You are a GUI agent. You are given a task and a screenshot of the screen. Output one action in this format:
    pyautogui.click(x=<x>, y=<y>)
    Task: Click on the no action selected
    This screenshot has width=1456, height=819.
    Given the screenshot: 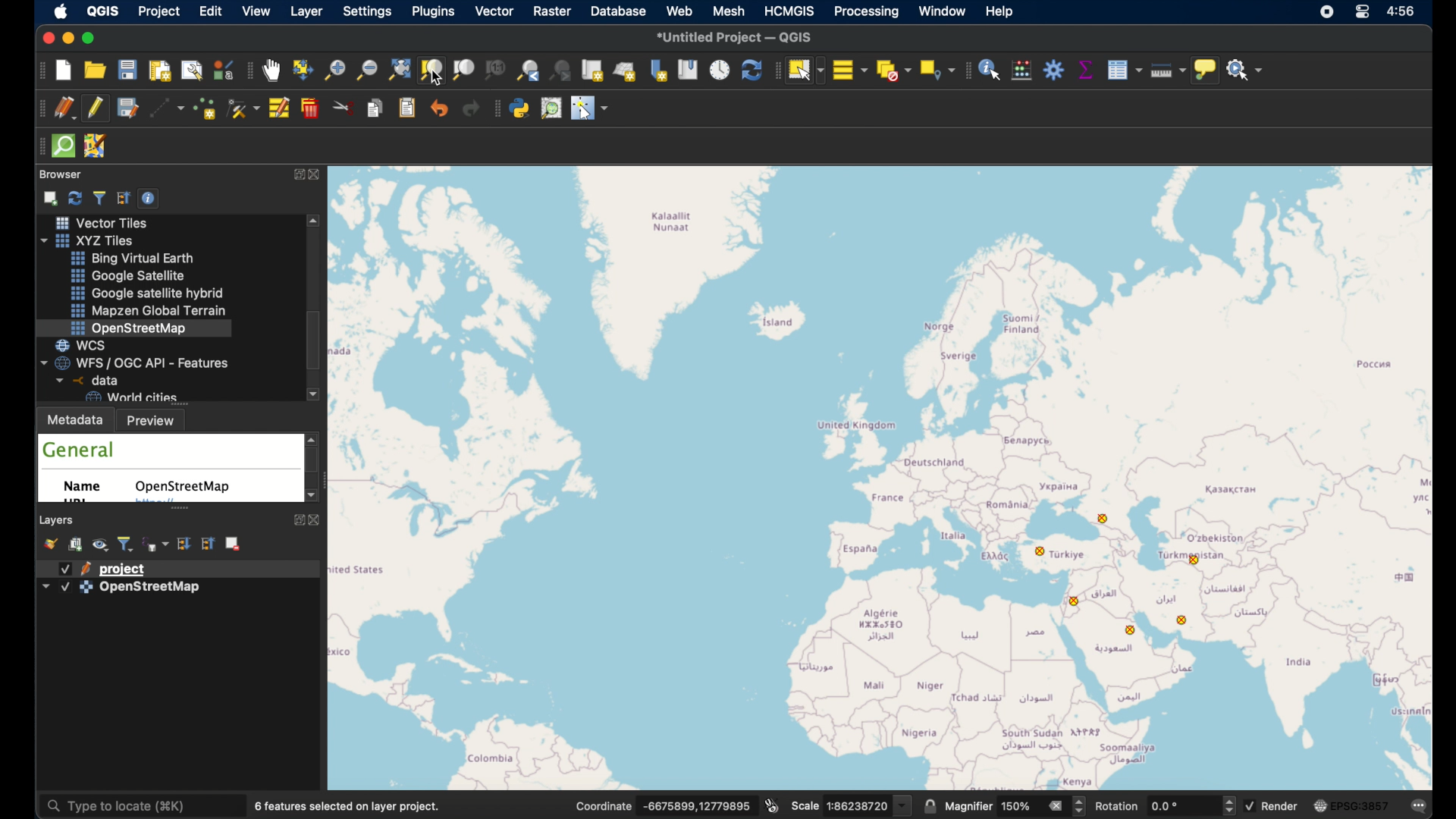 What is the action you would take?
    pyautogui.click(x=1246, y=71)
    